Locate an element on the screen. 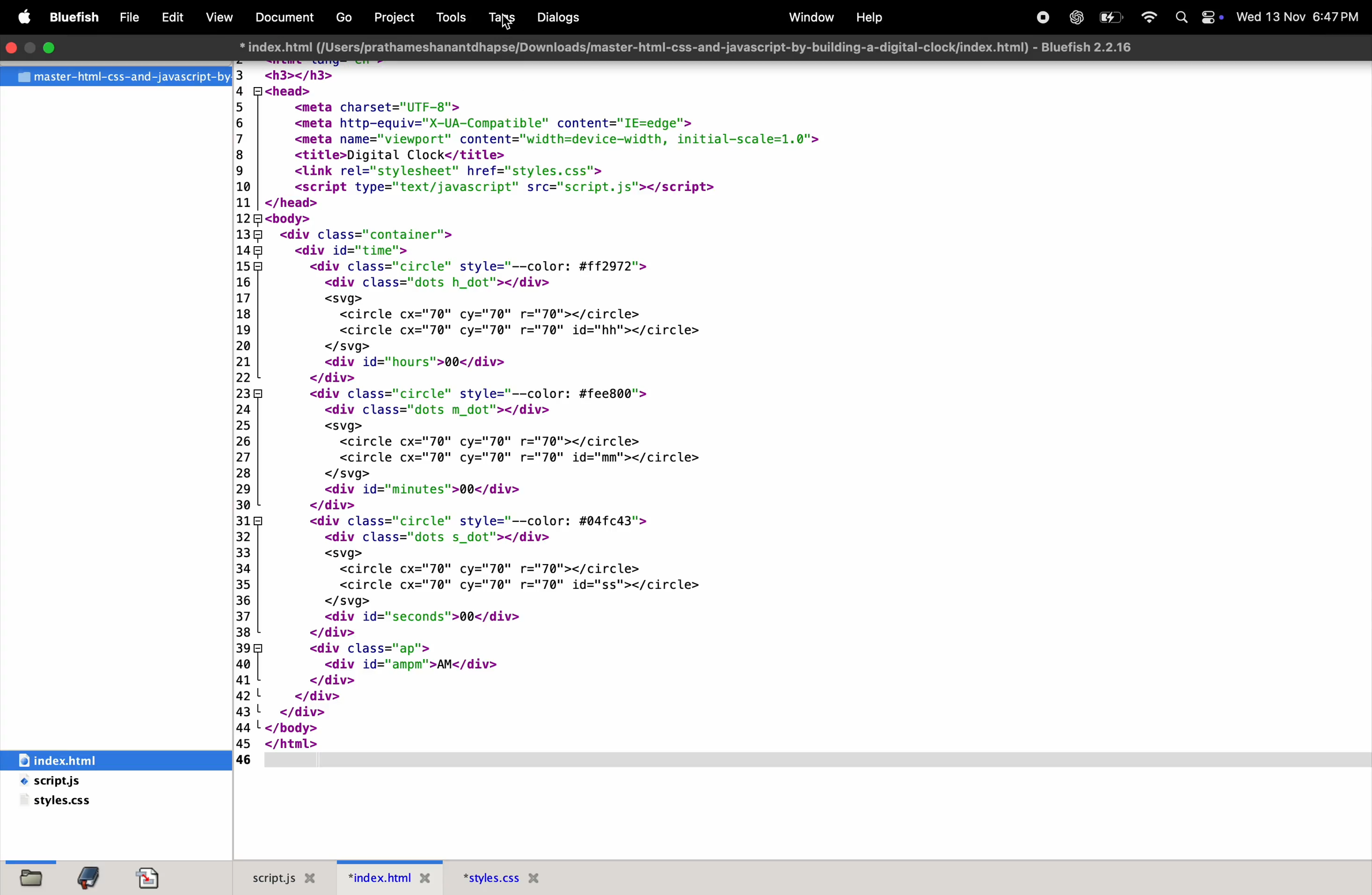  script.js is located at coordinates (269, 877).